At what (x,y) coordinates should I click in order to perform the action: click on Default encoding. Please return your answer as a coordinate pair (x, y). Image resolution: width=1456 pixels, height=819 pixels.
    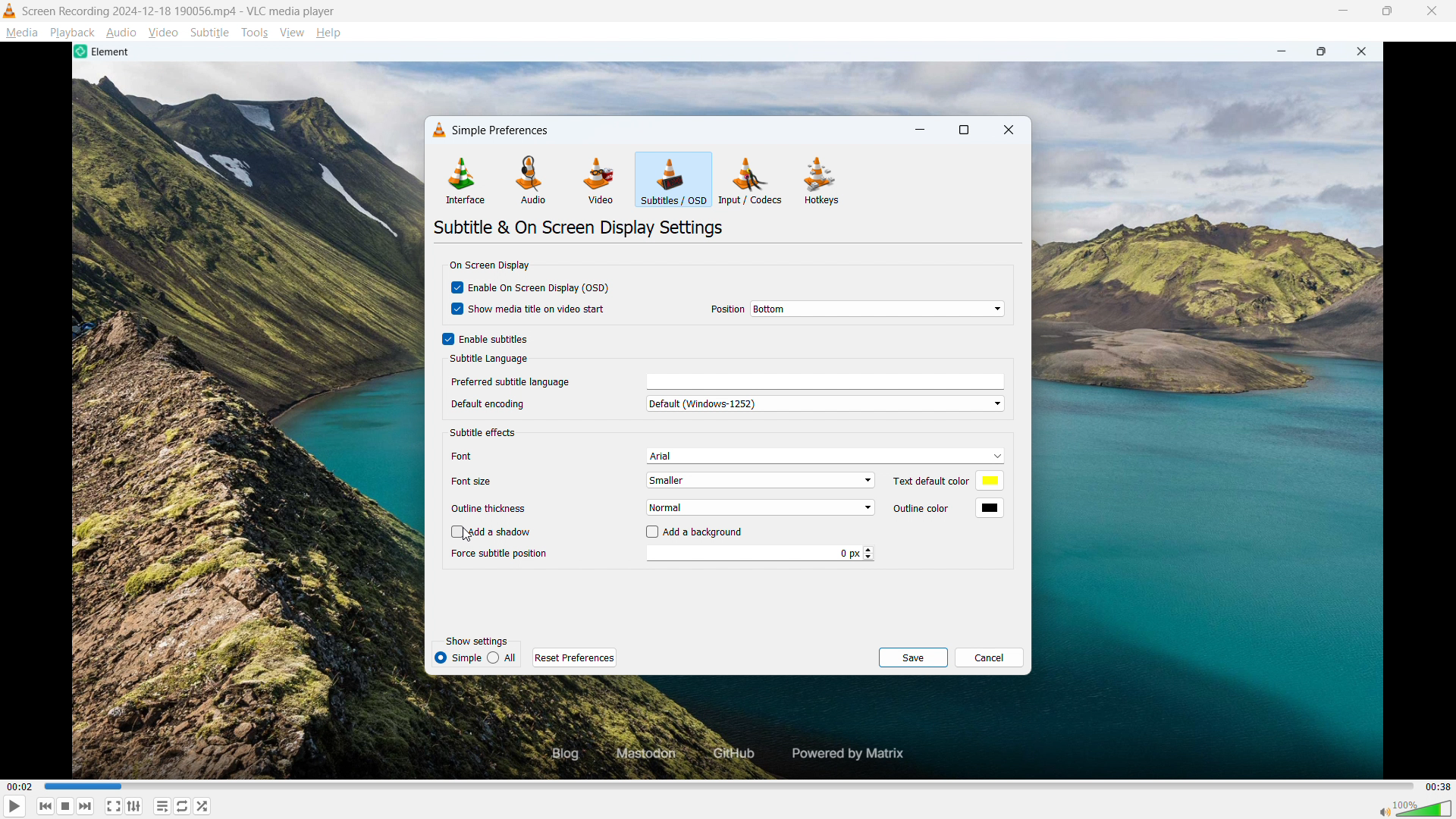
    Looking at the image, I should click on (490, 404).